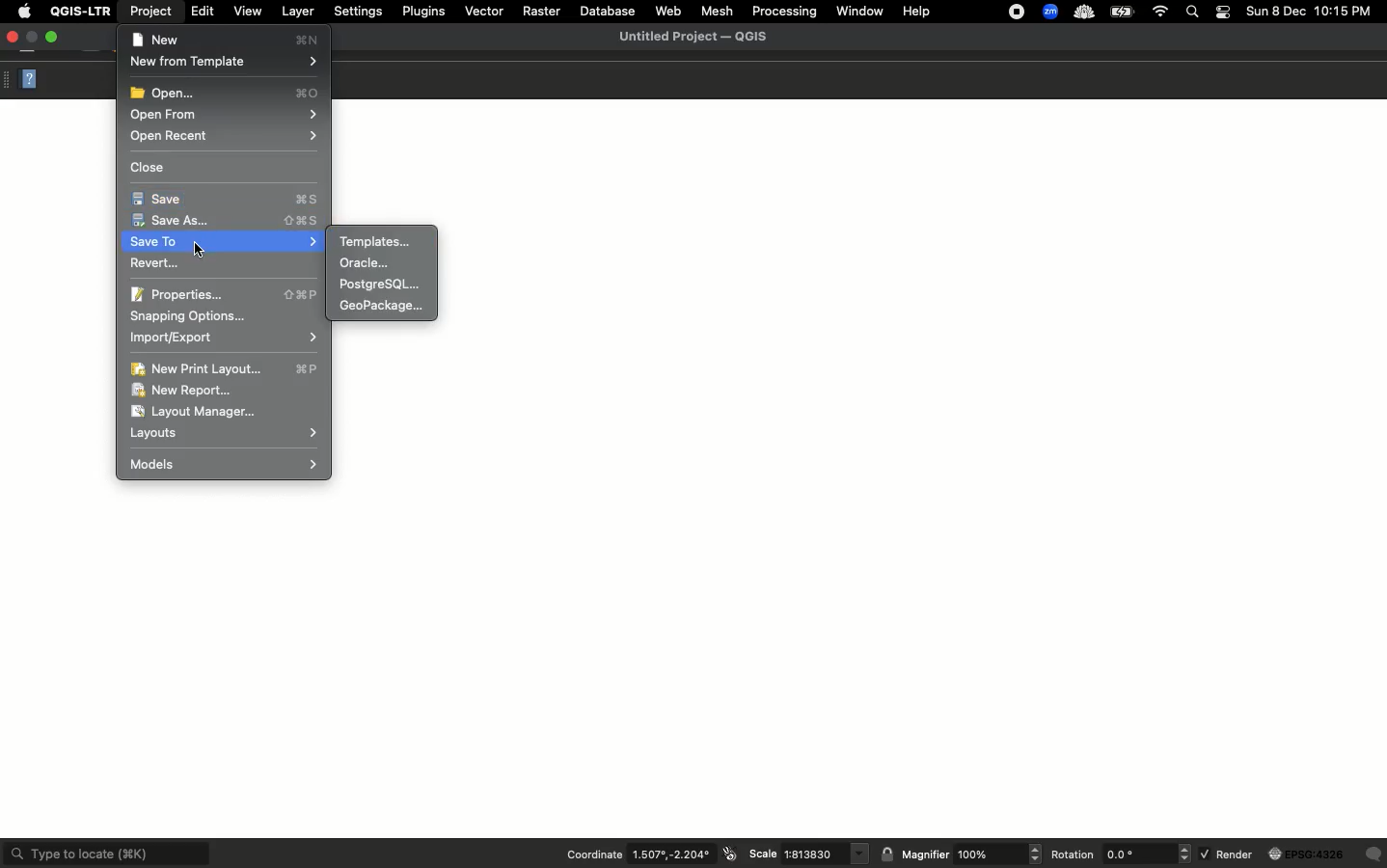 The image size is (1387, 868). Describe the element at coordinates (1015, 12) in the screenshot. I see `Recording` at that location.